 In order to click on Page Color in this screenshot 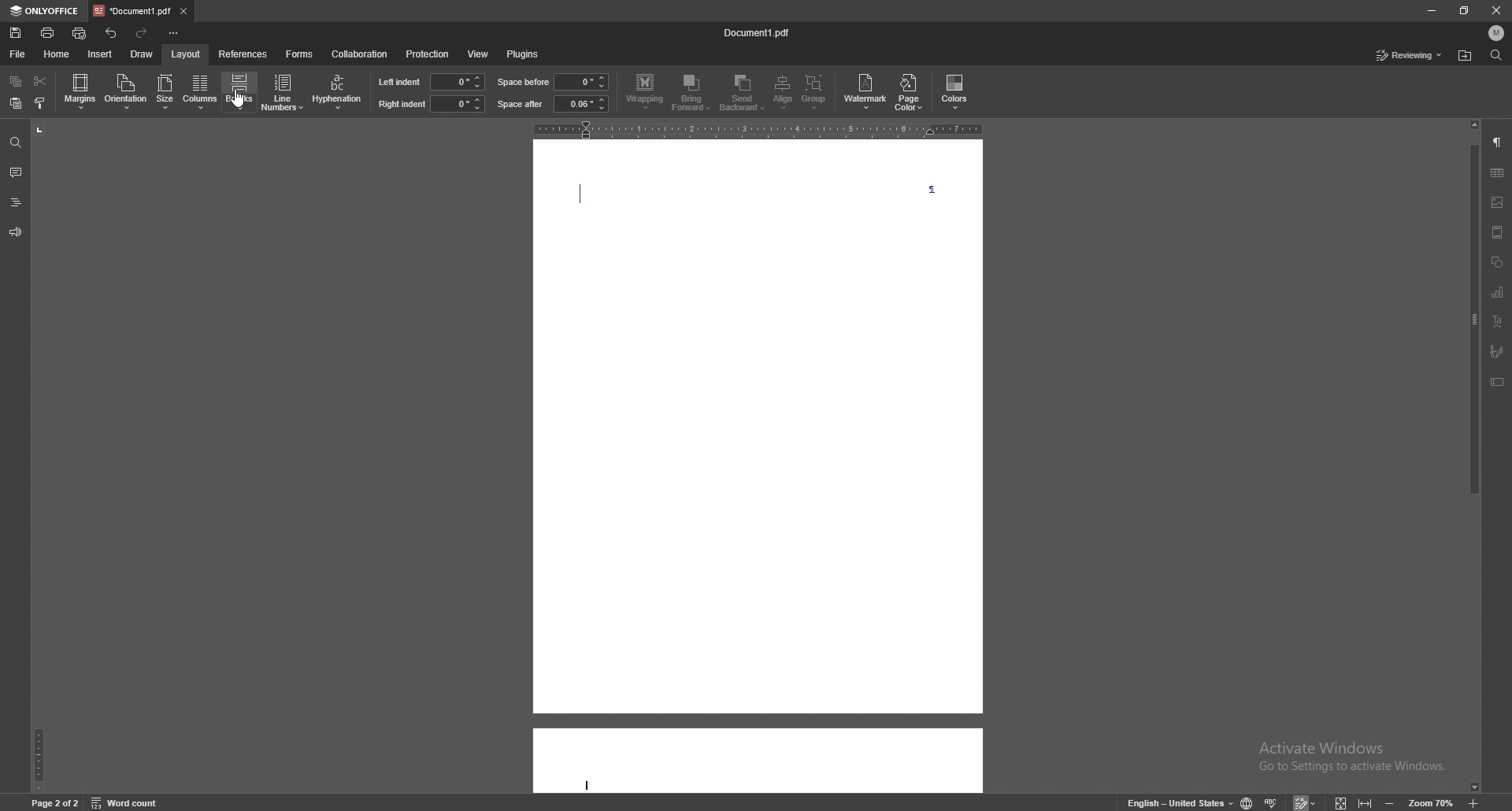, I will do `click(913, 94)`.